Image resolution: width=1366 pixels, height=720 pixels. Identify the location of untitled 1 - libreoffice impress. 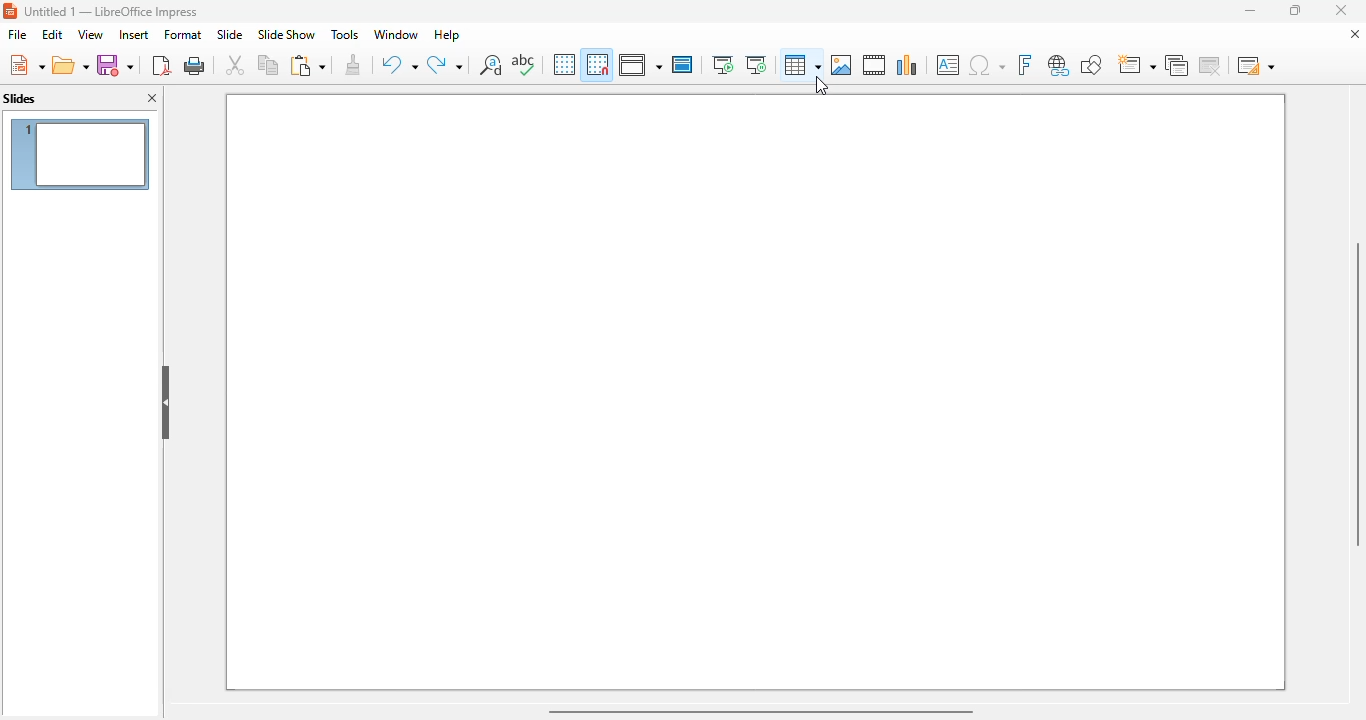
(112, 11).